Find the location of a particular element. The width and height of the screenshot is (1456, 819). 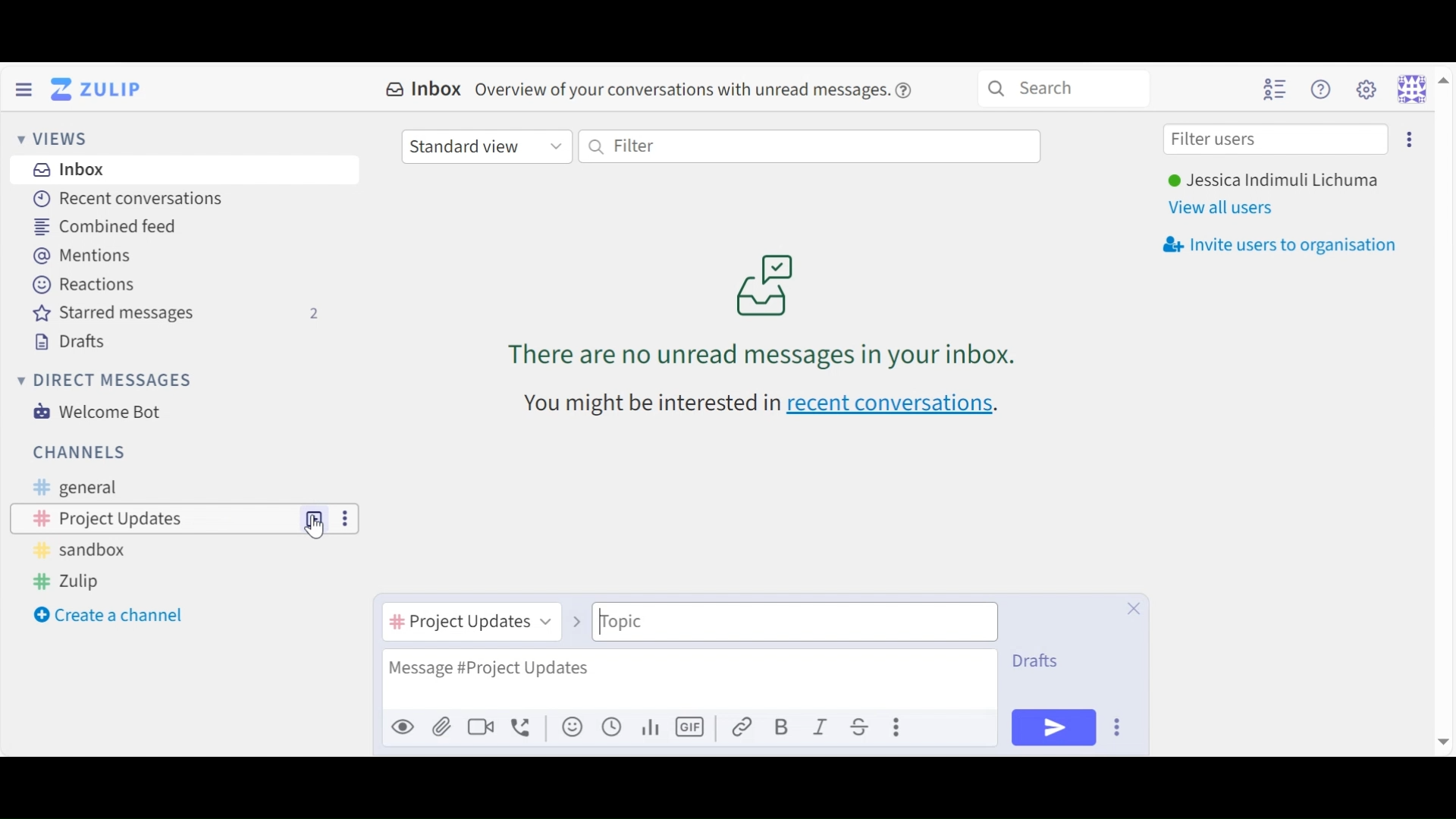

Starred messages is located at coordinates (176, 313).